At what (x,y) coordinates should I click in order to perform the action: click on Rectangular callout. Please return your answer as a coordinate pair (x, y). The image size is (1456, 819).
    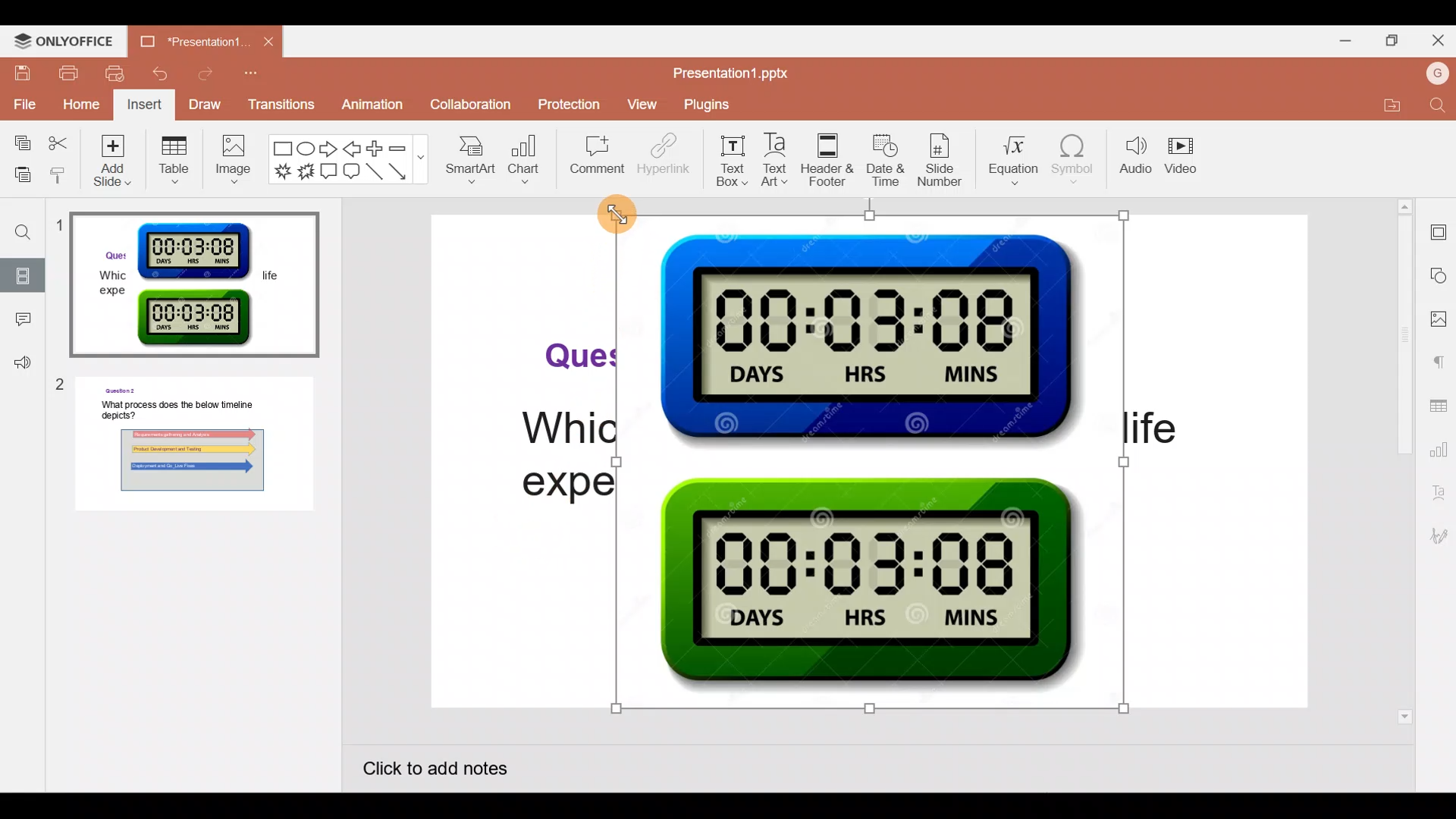
    Looking at the image, I should click on (329, 174).